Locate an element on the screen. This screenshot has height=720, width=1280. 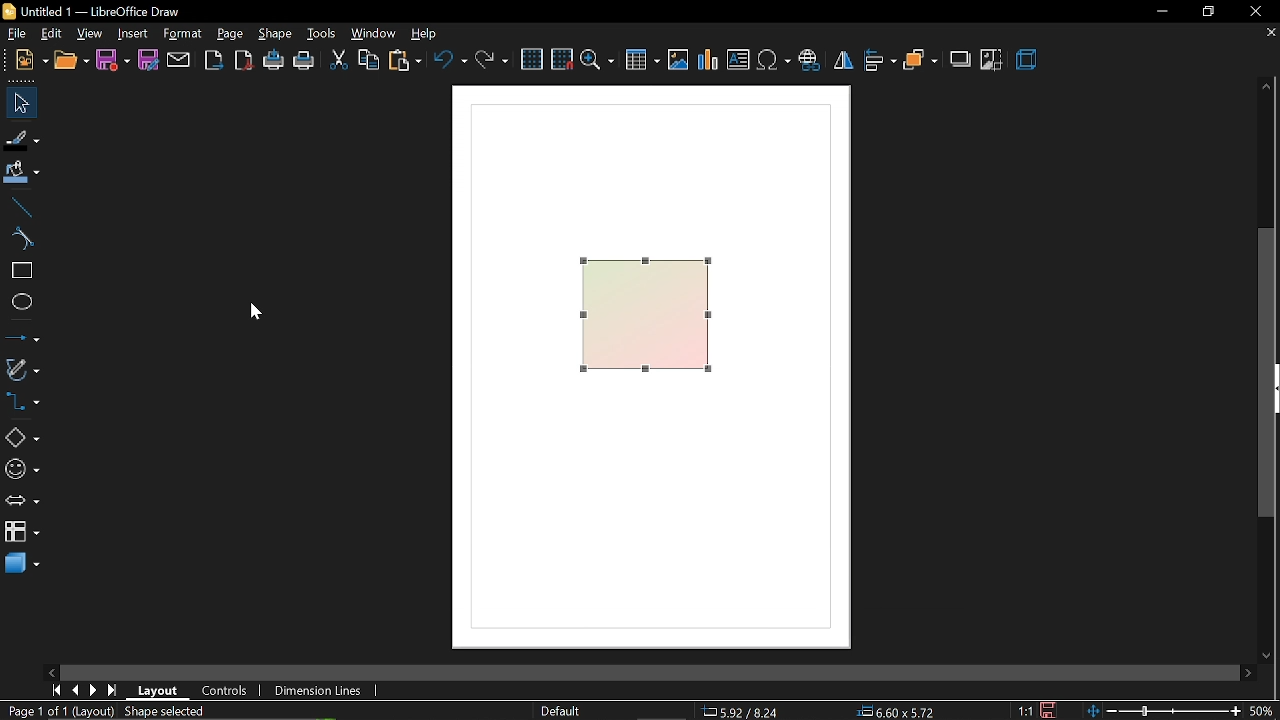
view is located at coordinates (90, 34).